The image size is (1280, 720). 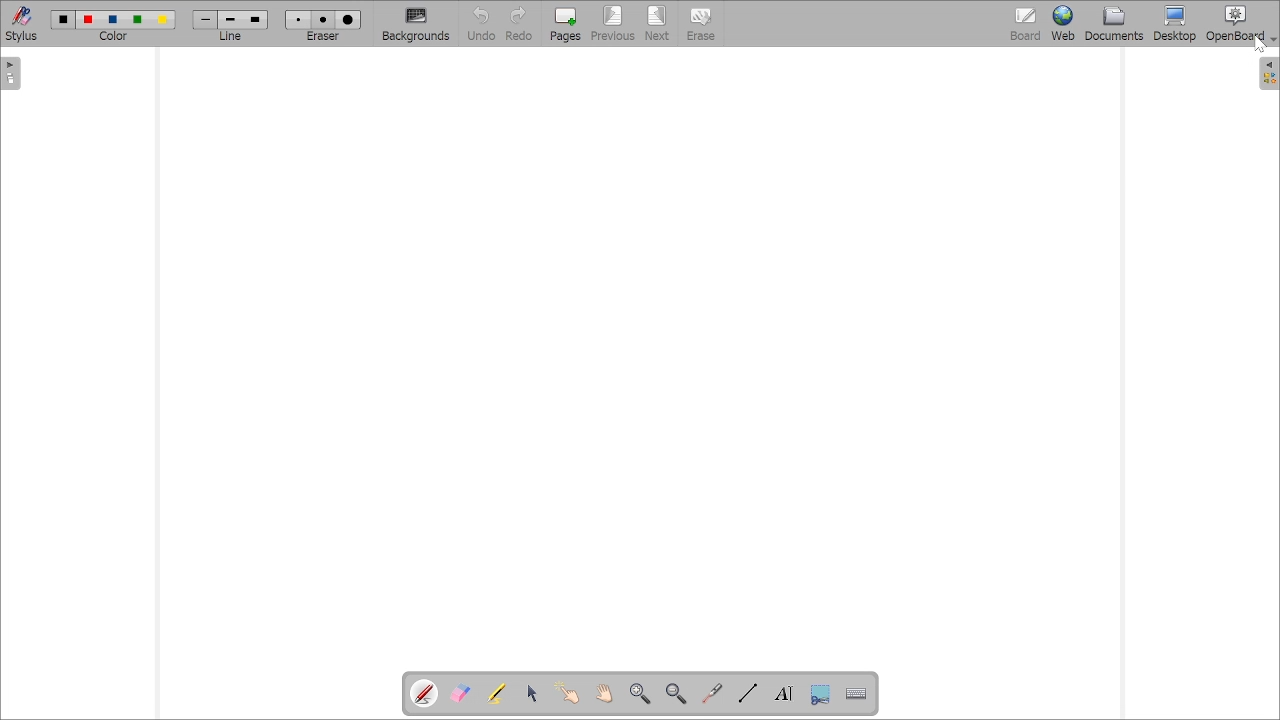 What do you see at coordinates (423, 694) in the screenshot?
I see `Annotate document` at bounding box center [423, 694].